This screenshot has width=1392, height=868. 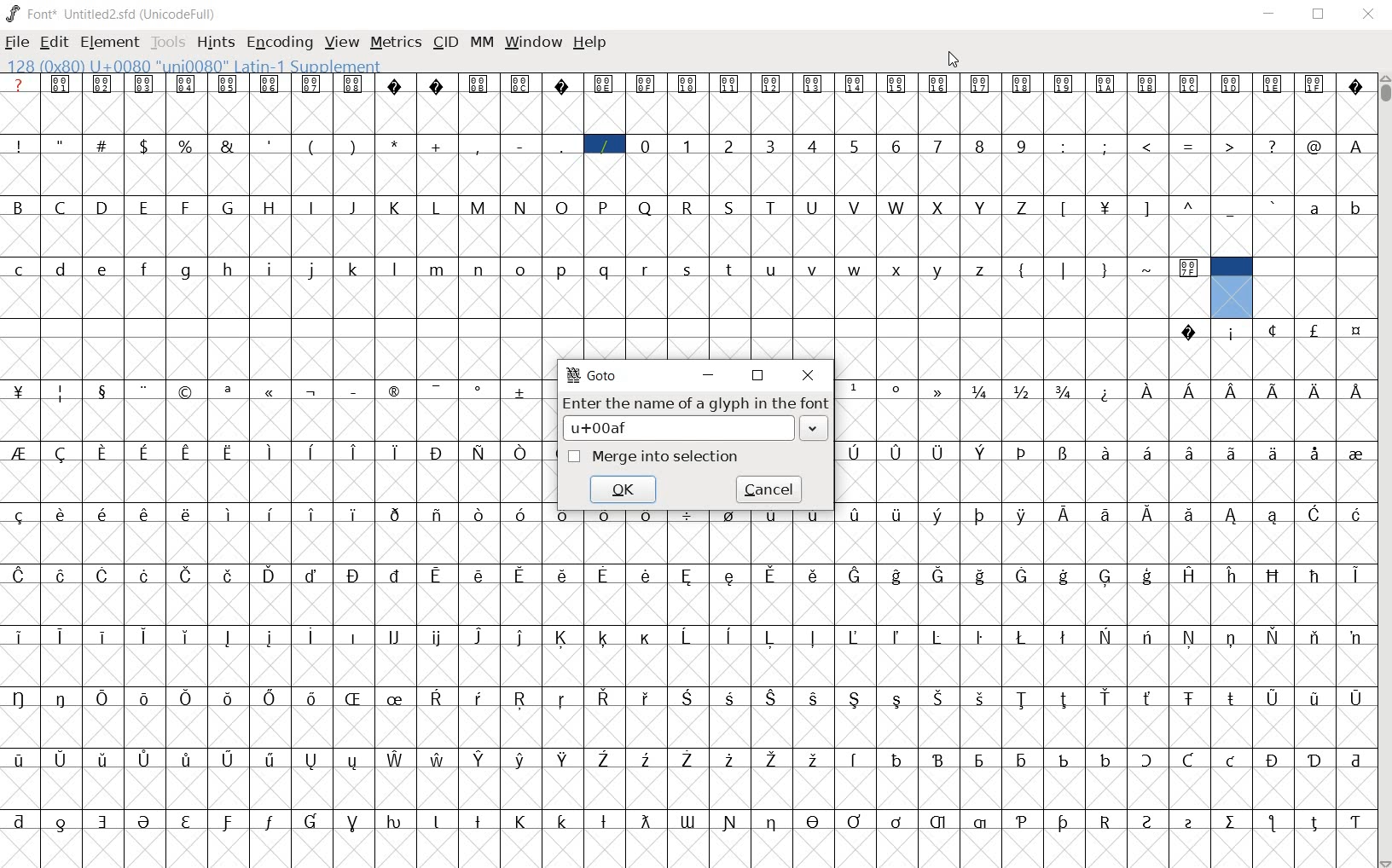 What do you see at coordinates (1232, 85) in the screenshot?
I see `Symbol` at bounding box center [1232, 85].